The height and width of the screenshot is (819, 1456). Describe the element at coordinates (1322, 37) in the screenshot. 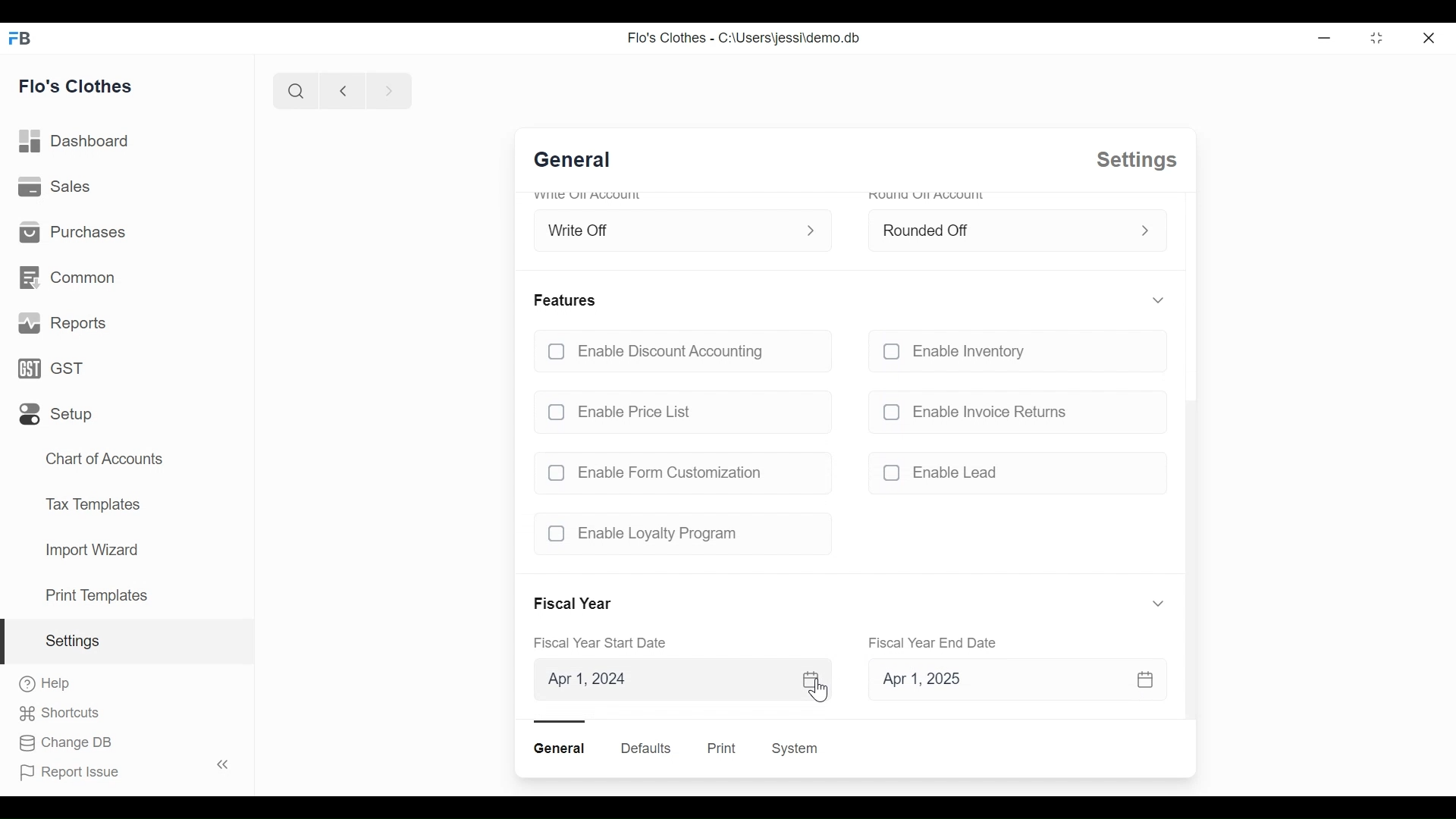

I see `Minimize` at that location.